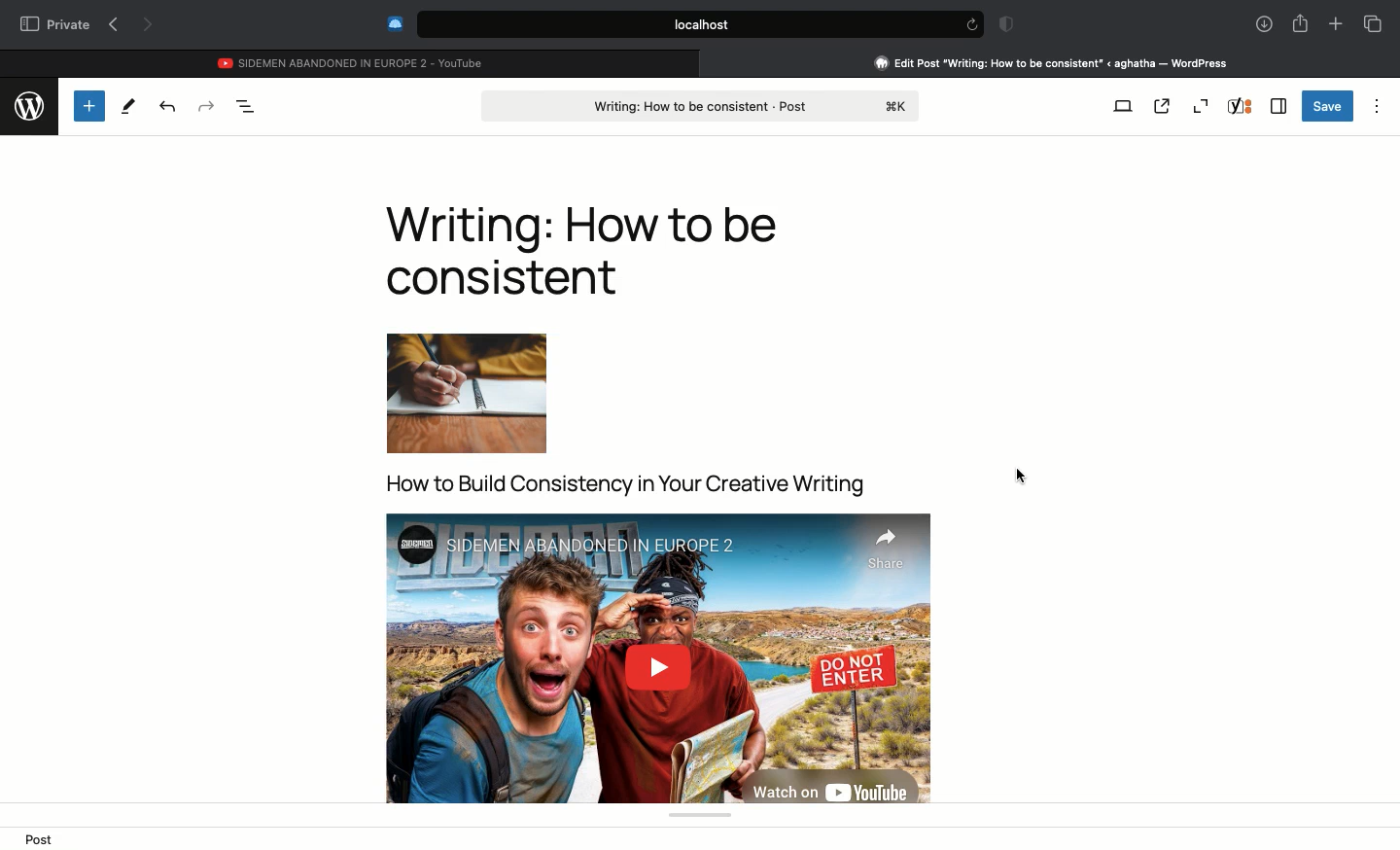 This screenshot has height=850, width=1400. I want to click on New tab, so click(1336, 24).